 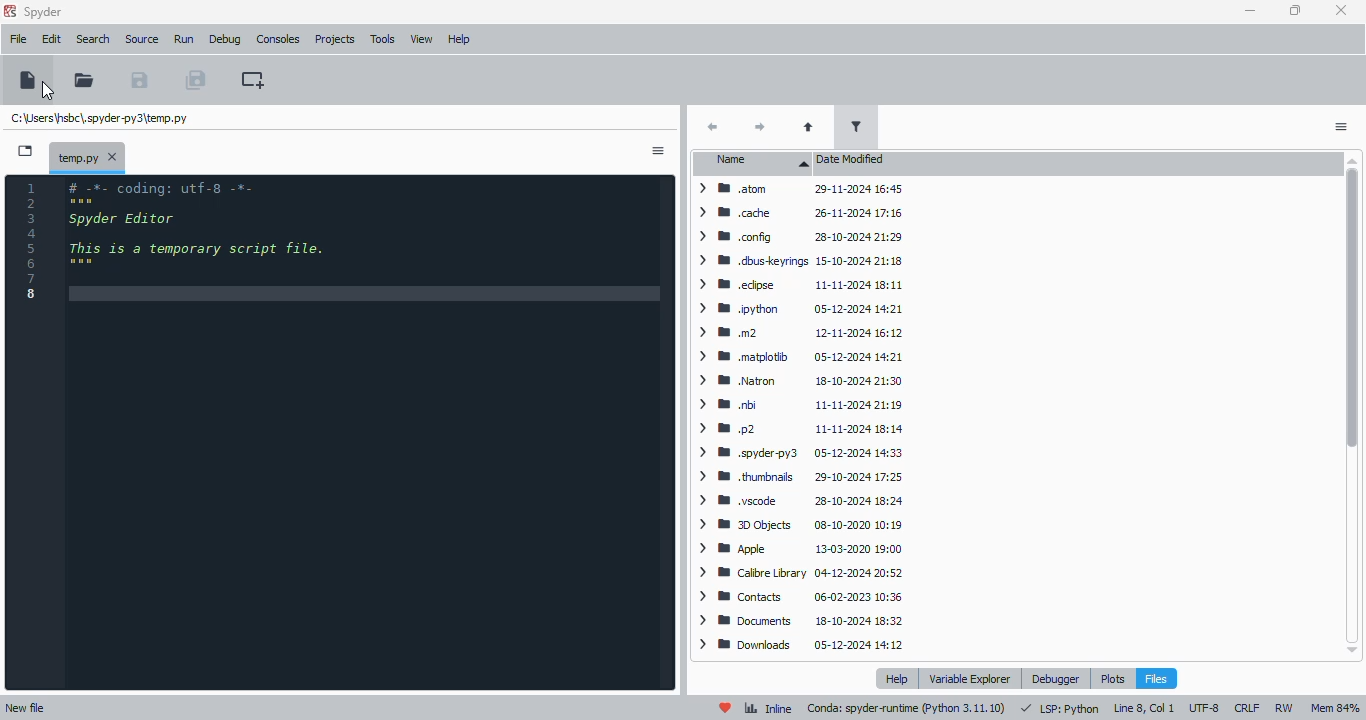 What do you see at coordinates (799, 453) in the screenshot?
I see `> WB spyderpy3 05-12-2024 14:33` at bounding box center [799, 453].